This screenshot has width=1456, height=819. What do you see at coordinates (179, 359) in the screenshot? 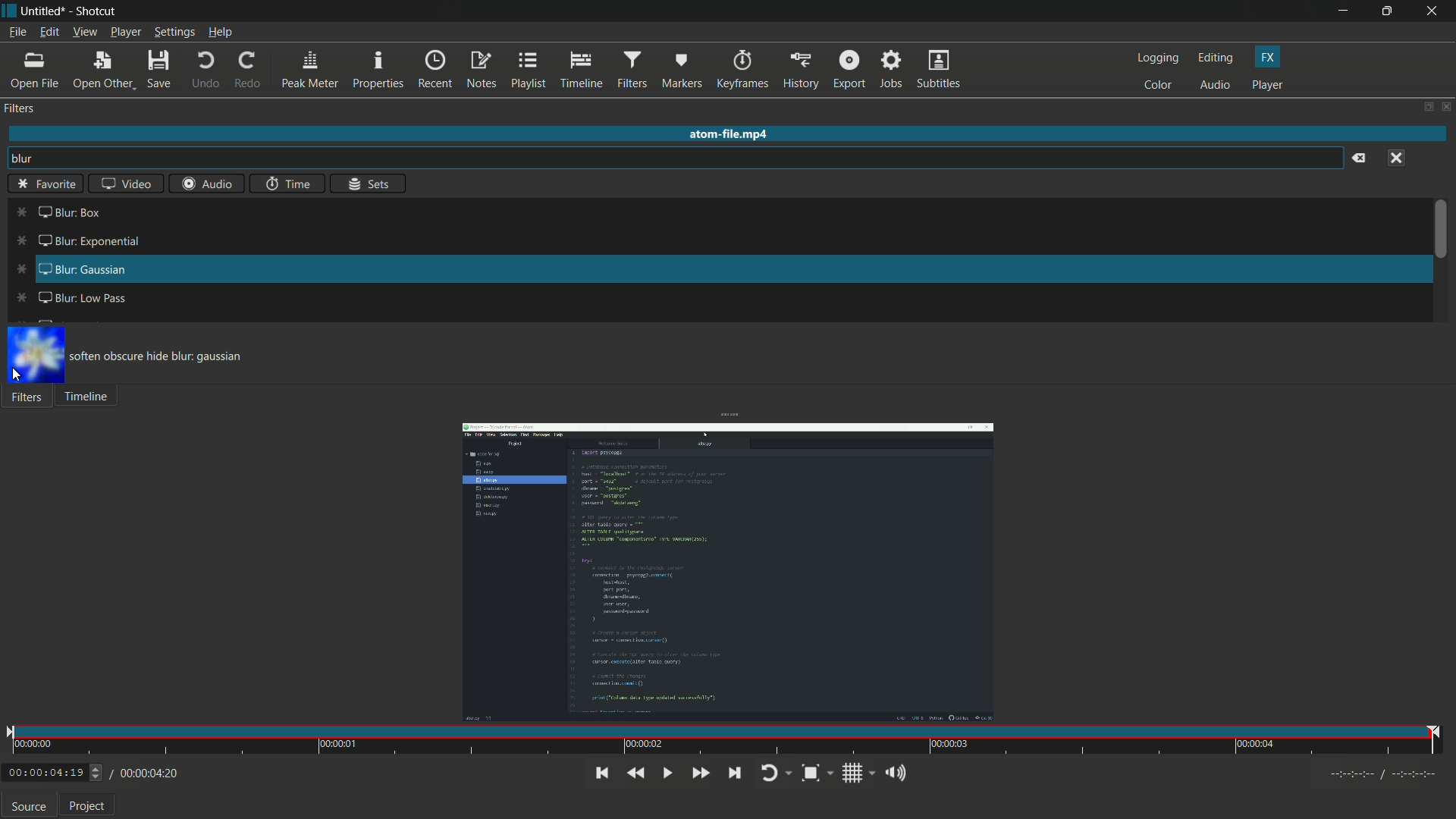
I see `soften obscure hide directional blur: gaussian` at bounding box center [179, 359].